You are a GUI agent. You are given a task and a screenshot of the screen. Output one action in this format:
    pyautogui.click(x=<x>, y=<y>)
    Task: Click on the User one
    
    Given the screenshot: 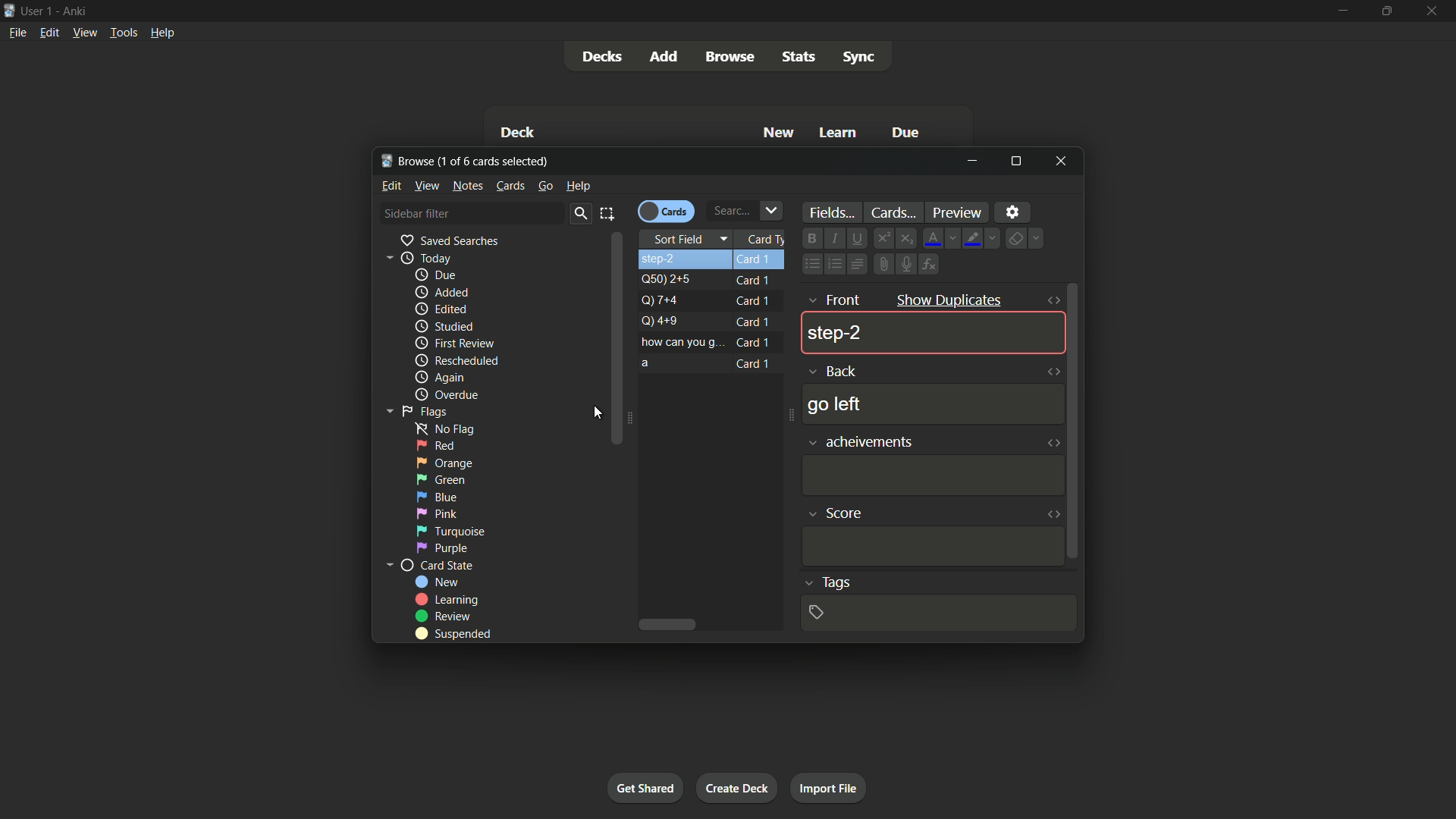 What is the action you would take?
    pyautogui.click(x=37, y=11)
    